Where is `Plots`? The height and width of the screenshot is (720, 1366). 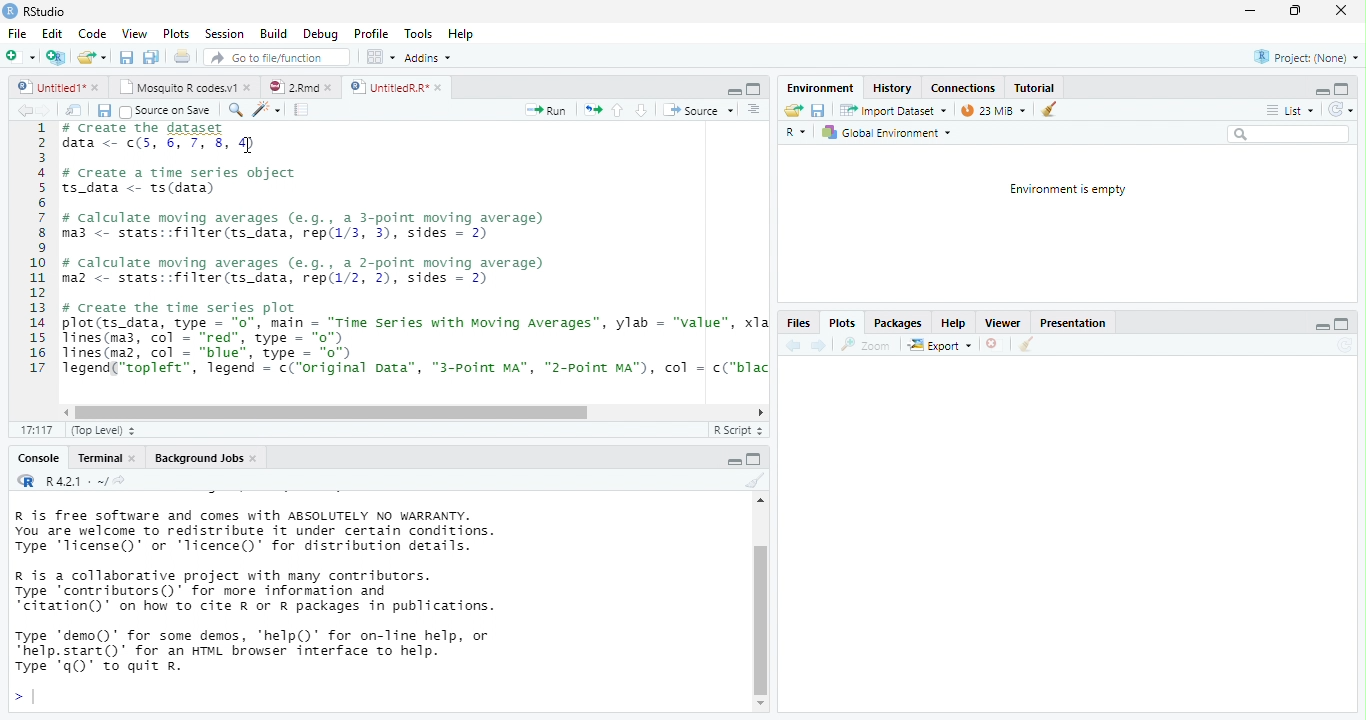 Plots is located at coordinates (840, 325).